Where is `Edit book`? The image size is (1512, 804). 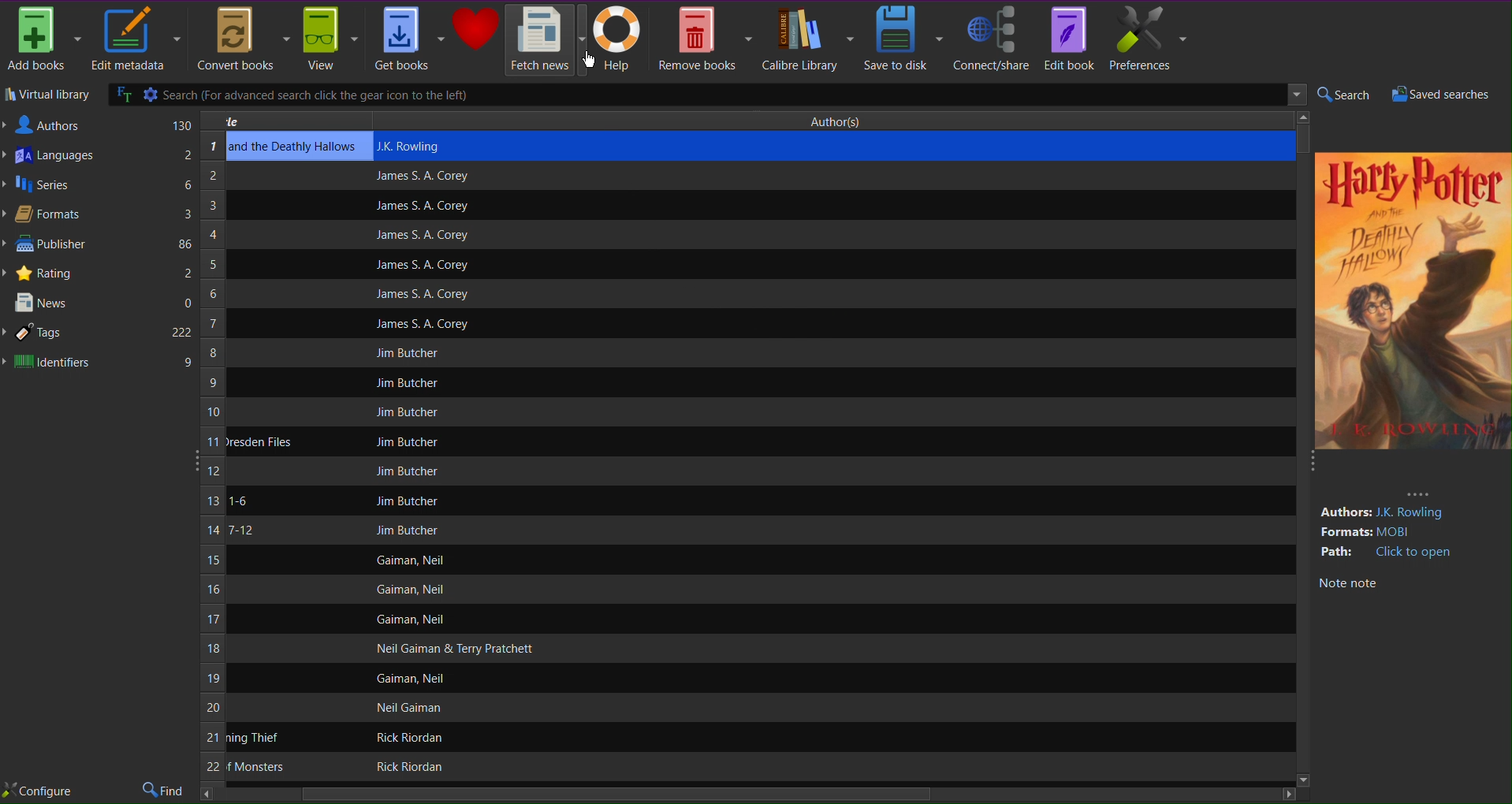
Edit book is located at coordinates (1068, 37).